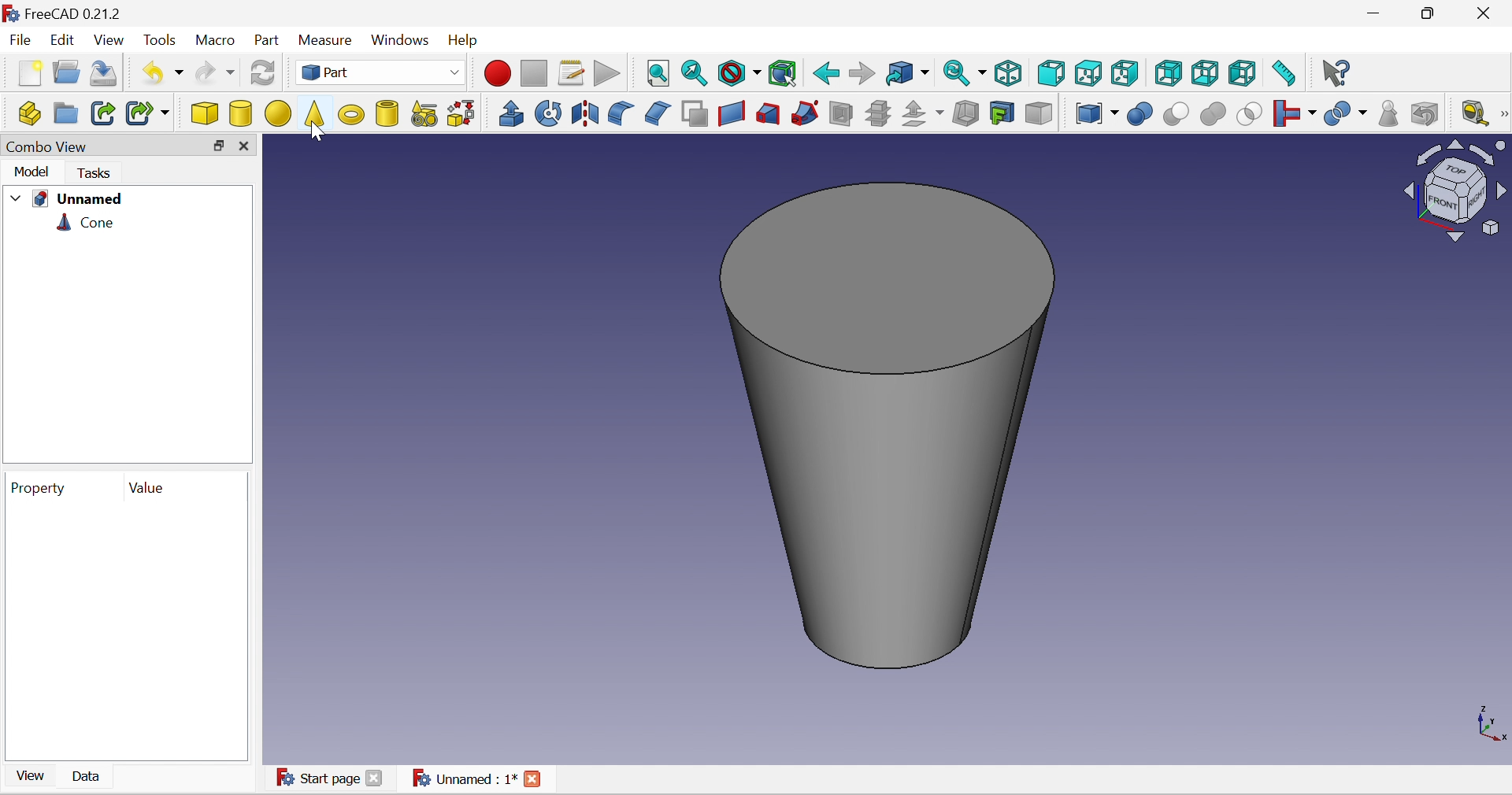 This screenshot has width=1512, height=795. Describe the element at coordinates (334, 778) in the screenshot. I see `Start page` at that location.